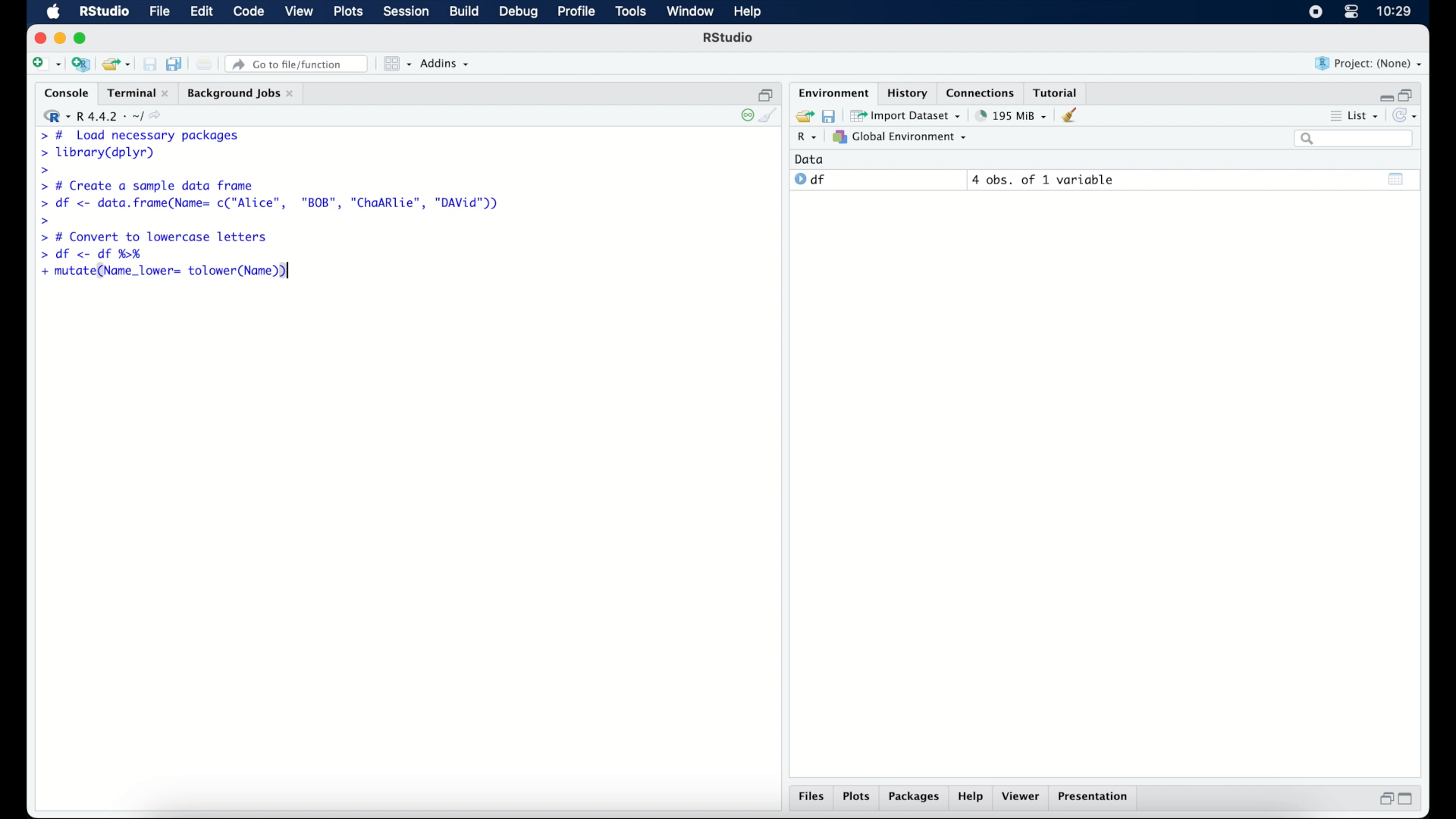 Image resolution: width=1456 pixels, height=819 pixels. Describe the element at coordinates (1397, 178) in the screenshot. I see `show output  window` at that location.